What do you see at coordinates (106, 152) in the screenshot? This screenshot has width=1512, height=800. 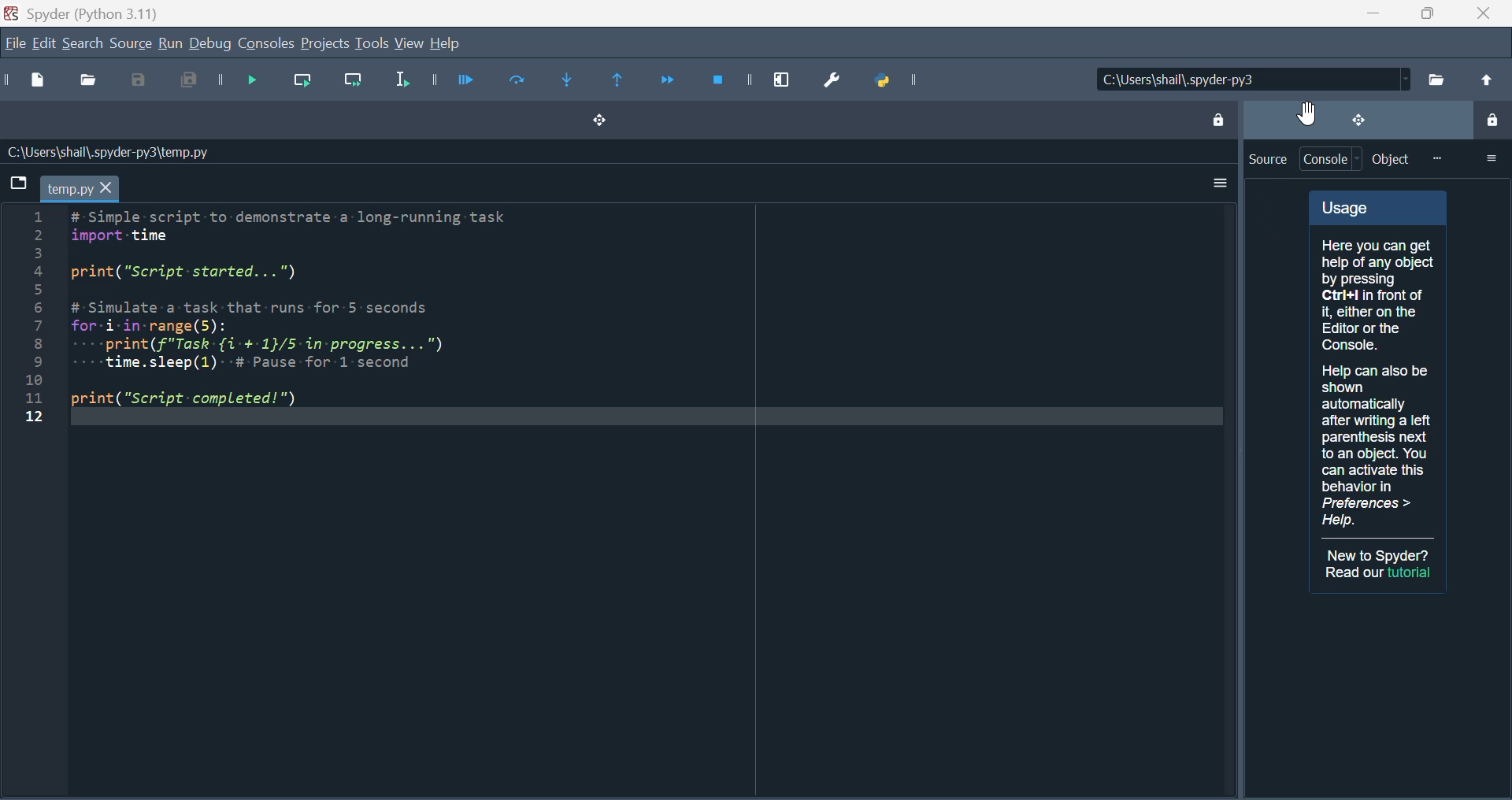 I see `C:\Users\shail\.spyder-py3\temp.py` at bounding box center [106, 152].